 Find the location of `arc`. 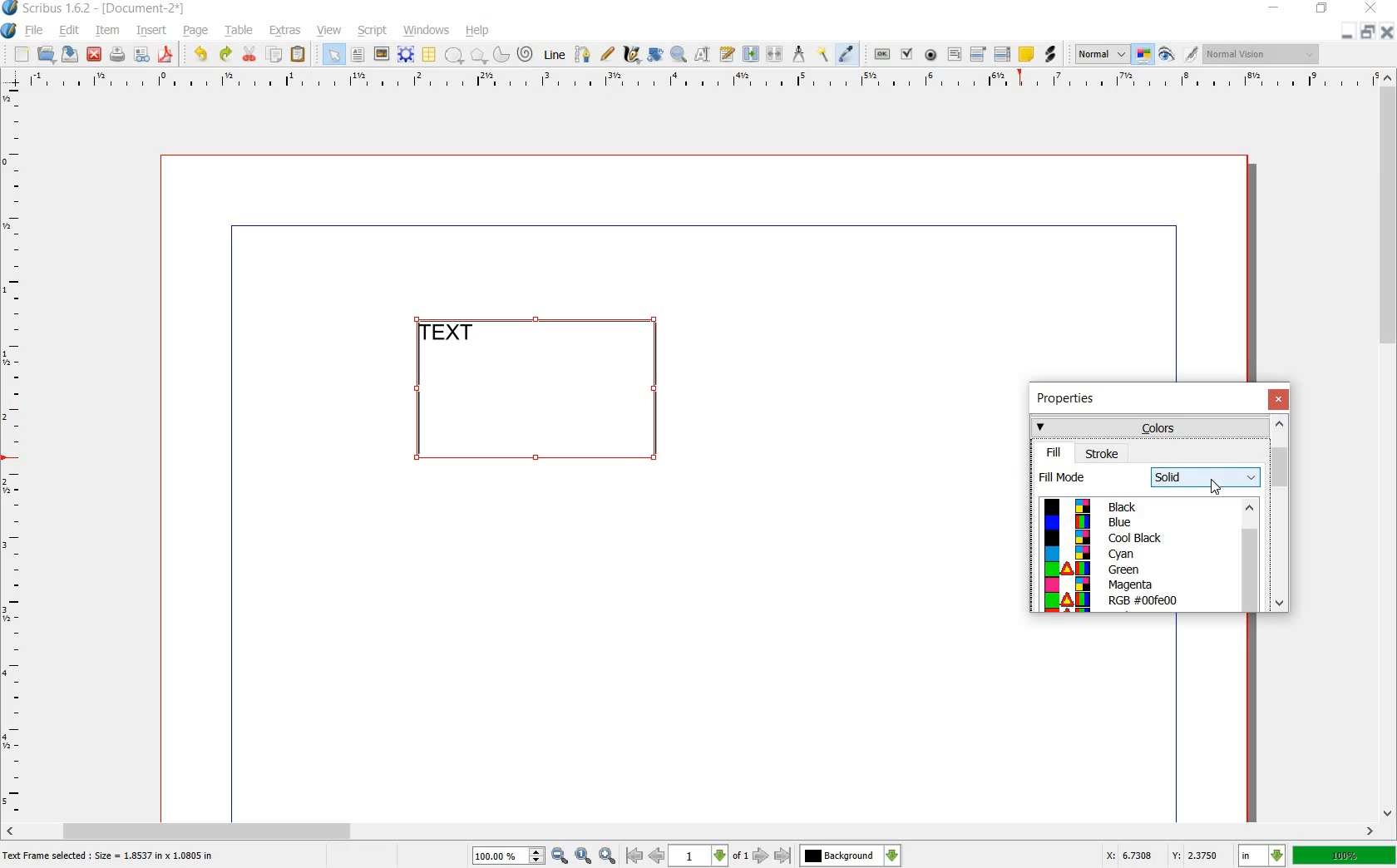

arc is located at coordinates (500, 53).